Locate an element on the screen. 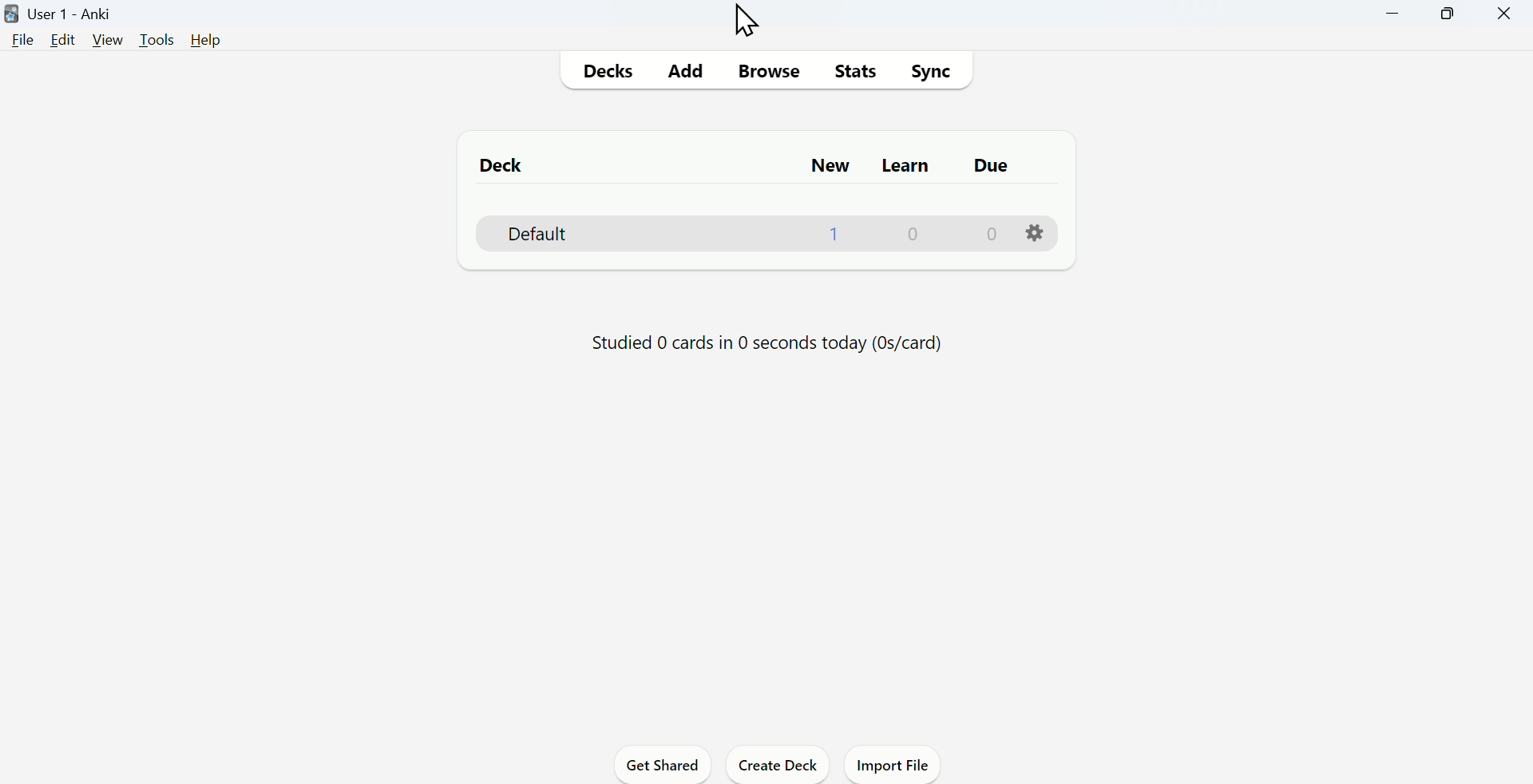 This screenshot has width=1533, height=784. Sync is located at coordinates (933, 74).